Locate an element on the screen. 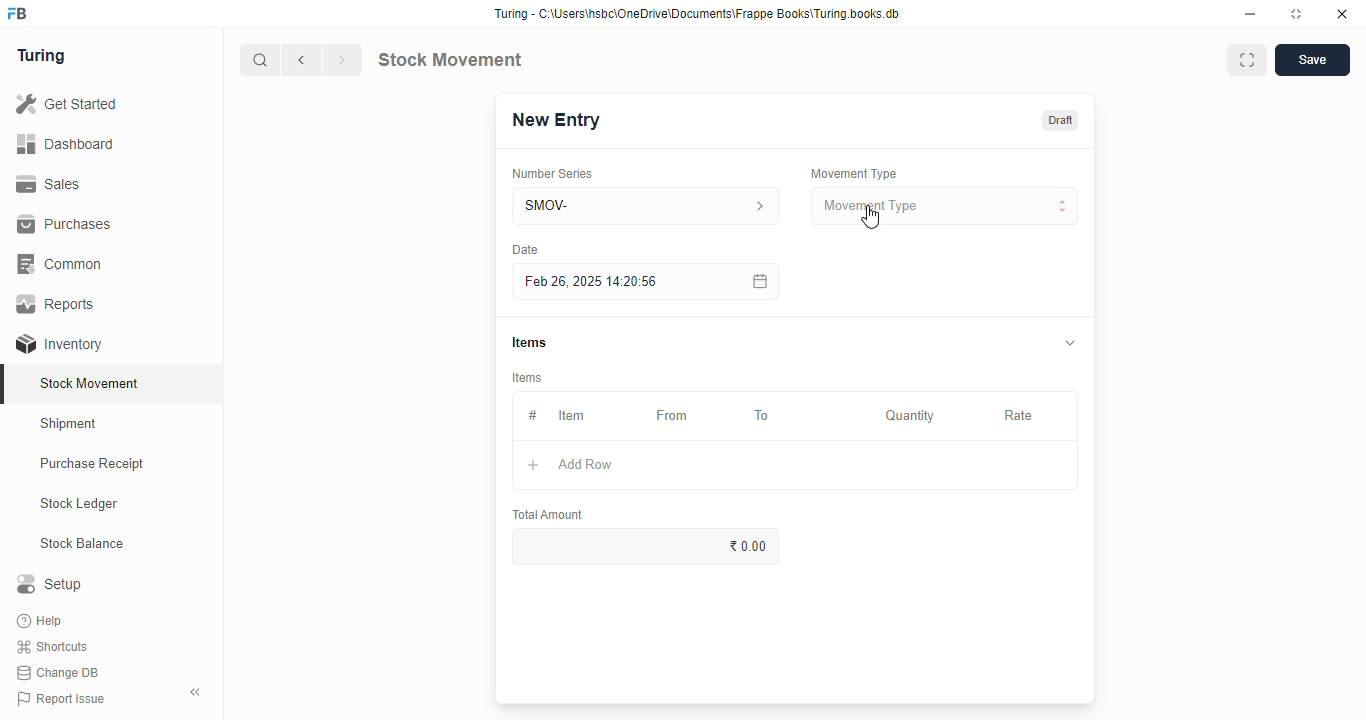 This screenshot has height=720, width=1366. setup is located at coordinates (49, 583).